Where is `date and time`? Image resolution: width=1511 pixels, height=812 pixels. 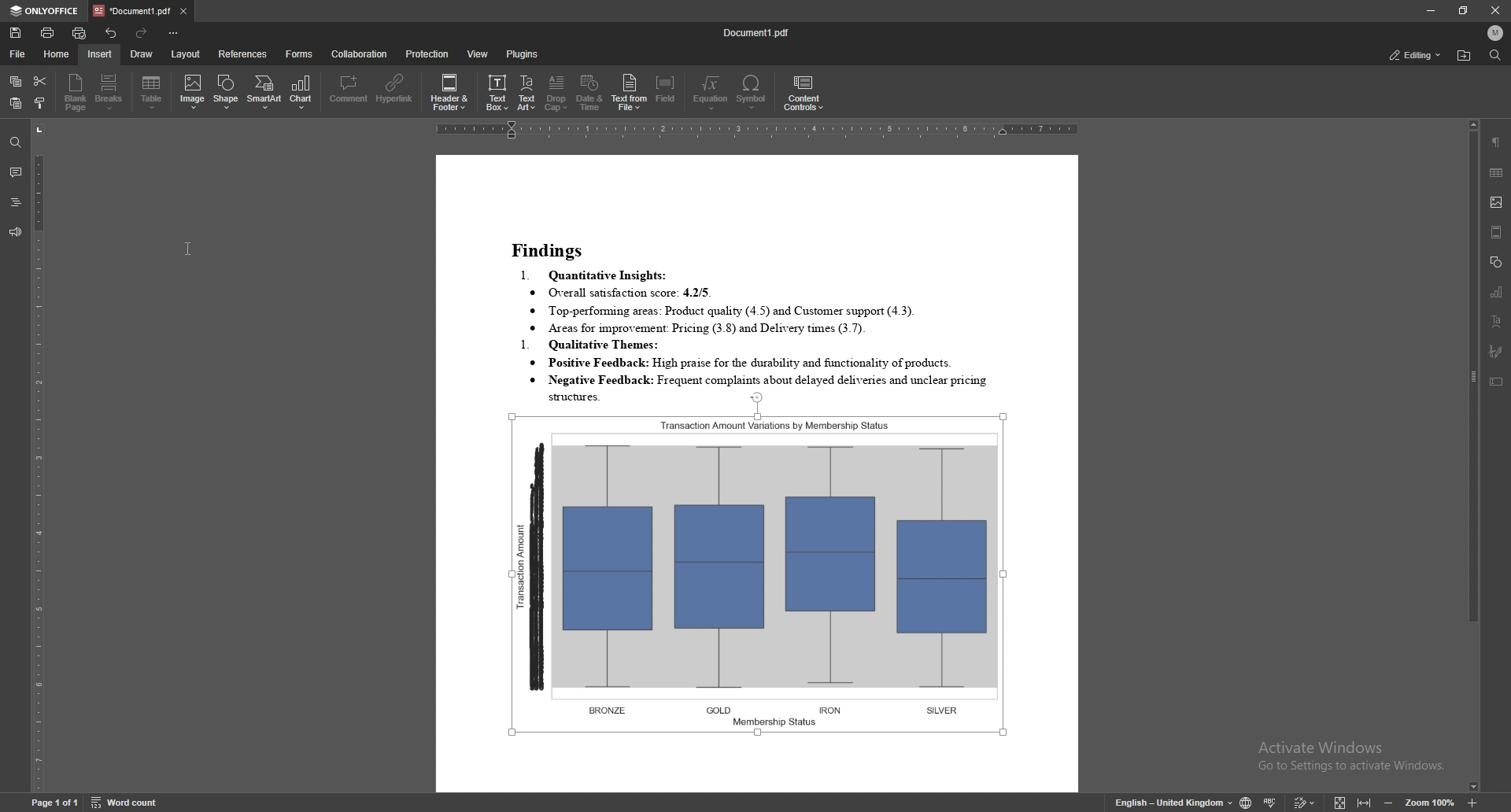 date and time is located at coordinates (589, 93).